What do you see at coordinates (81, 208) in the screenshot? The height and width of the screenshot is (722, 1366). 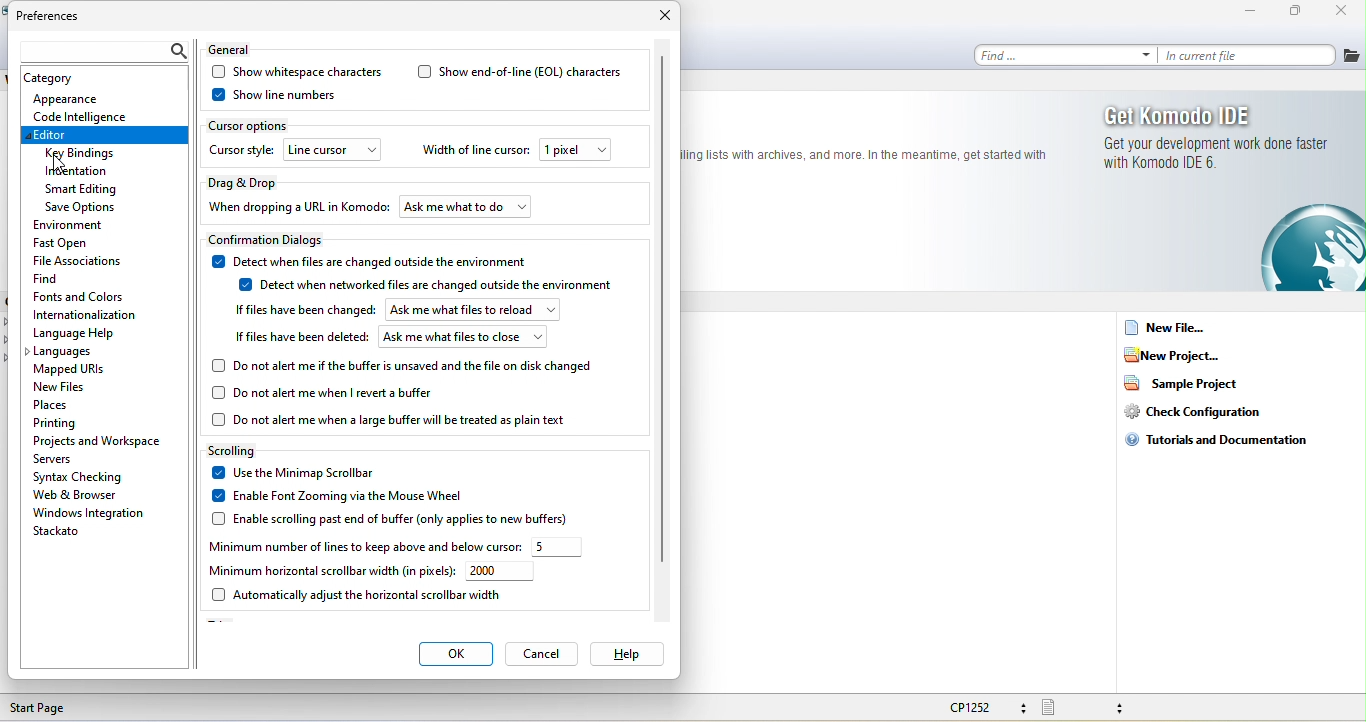 I see `save options` at bounding box center [81, 208].